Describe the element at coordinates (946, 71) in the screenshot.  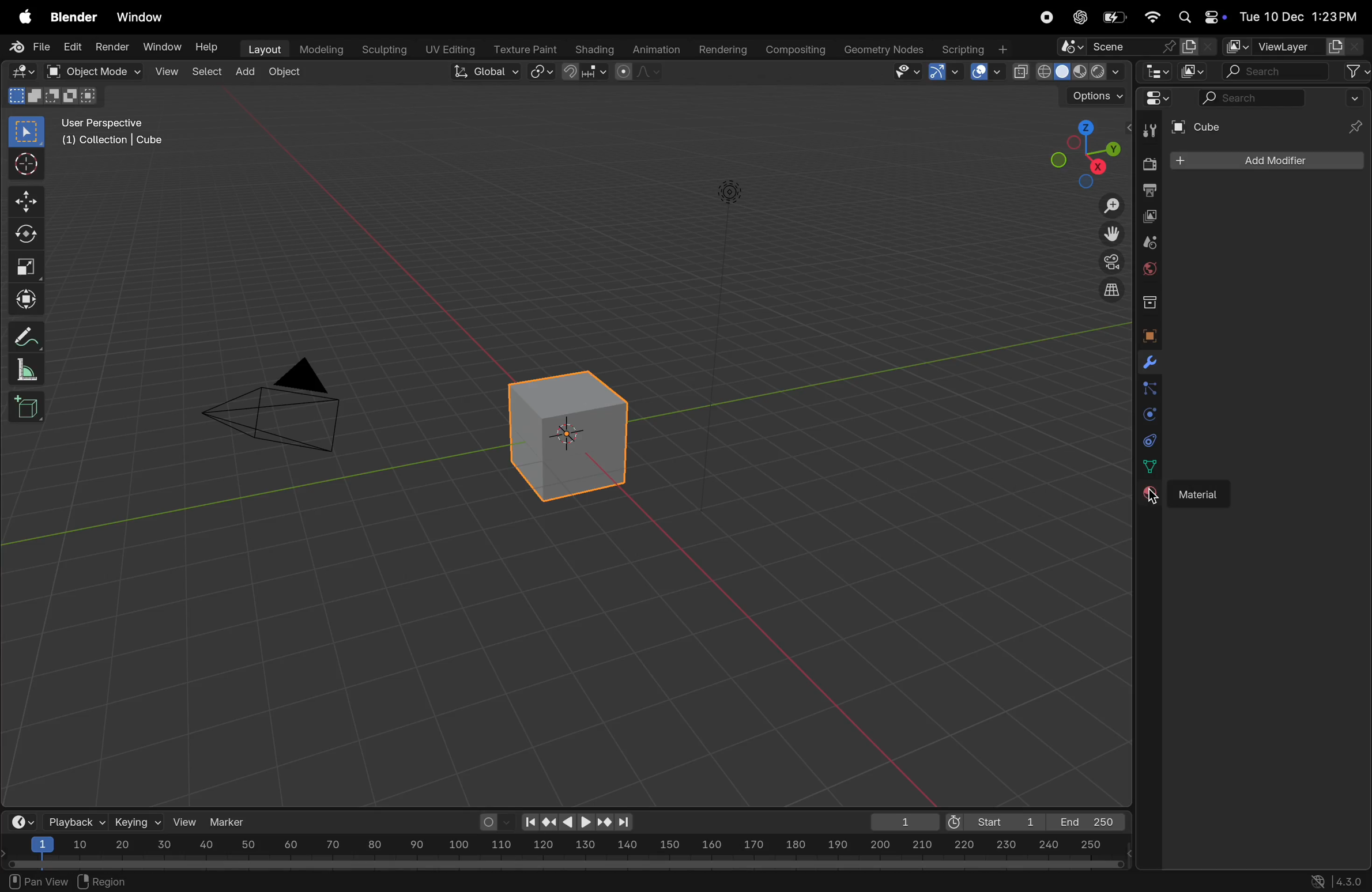
I see `show gimzo` at that location.